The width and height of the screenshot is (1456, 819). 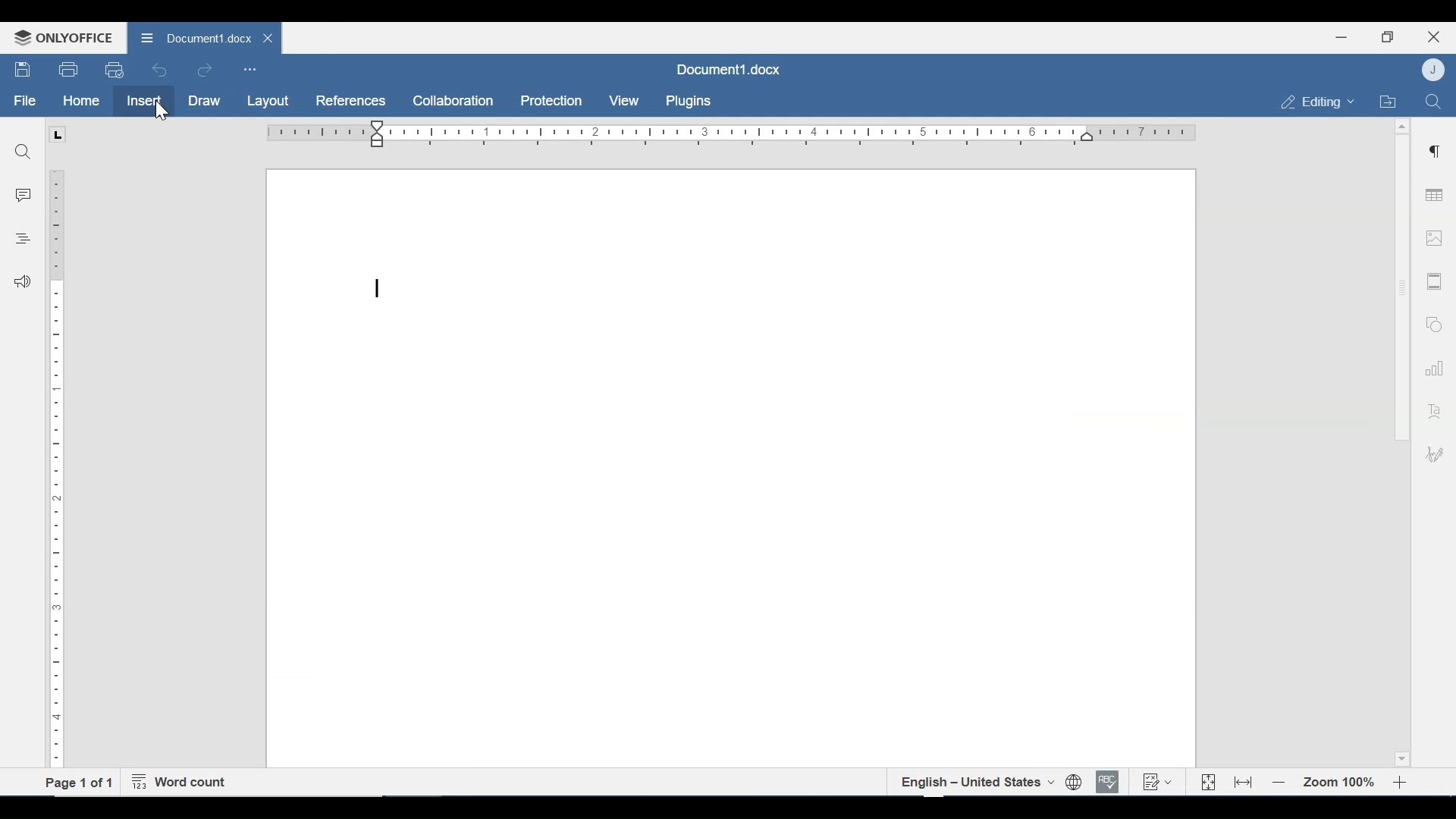 I want to click on Restore, so click(x=1387, y=37).